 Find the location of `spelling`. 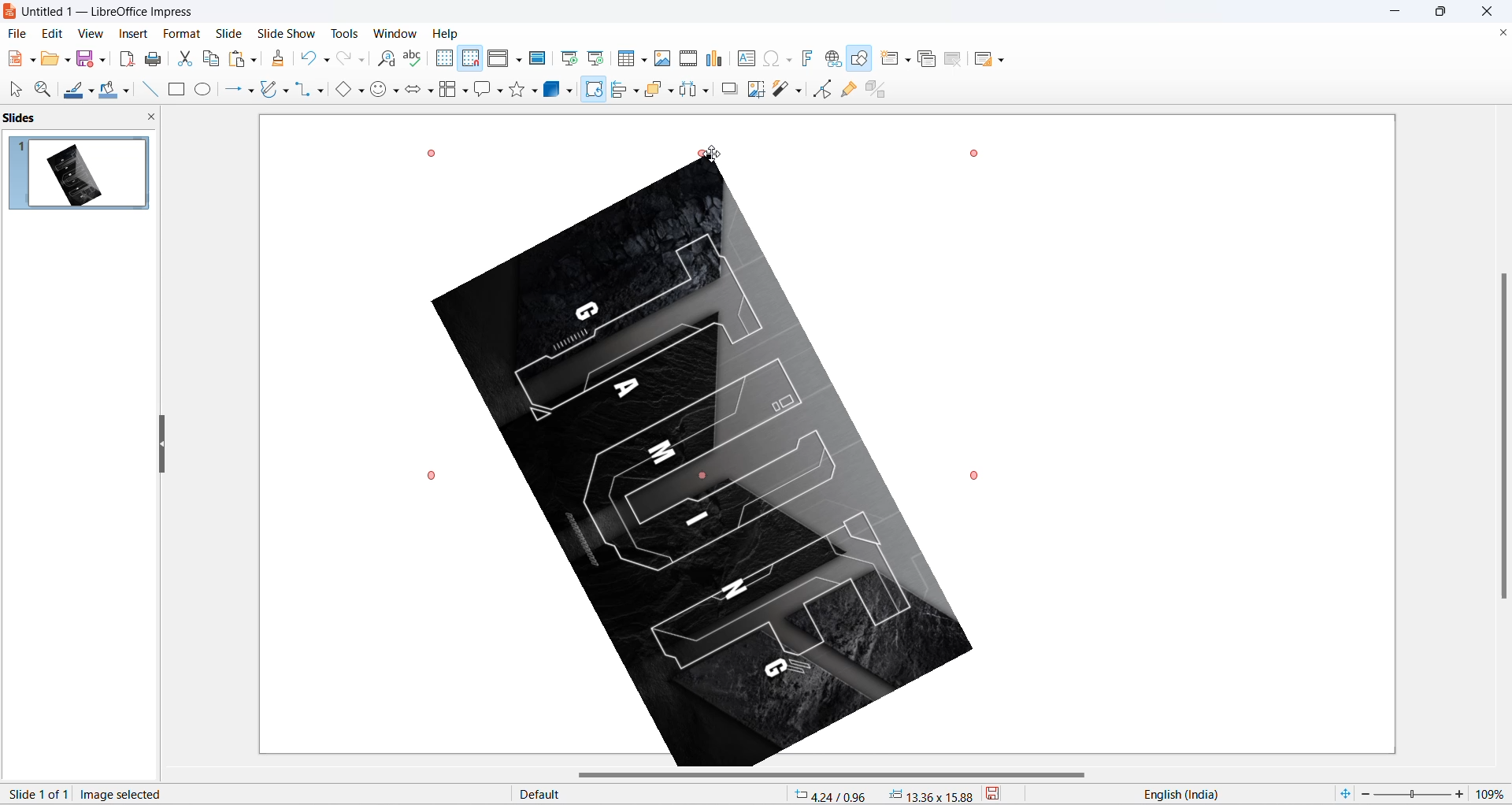

spelling is located at coordinates (413, 59).